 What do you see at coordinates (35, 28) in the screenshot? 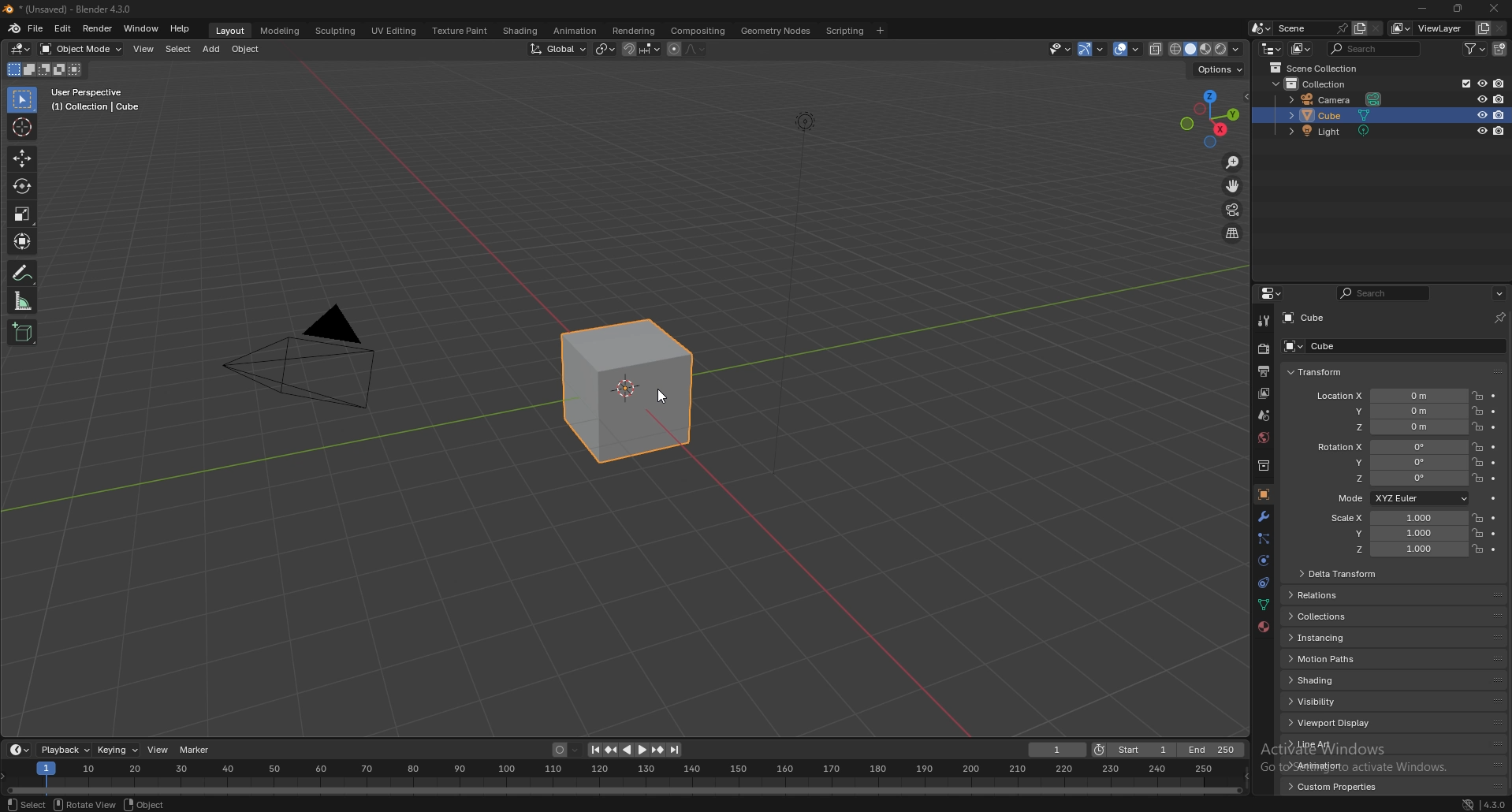
I see `file` at bounding box center [35, 28].